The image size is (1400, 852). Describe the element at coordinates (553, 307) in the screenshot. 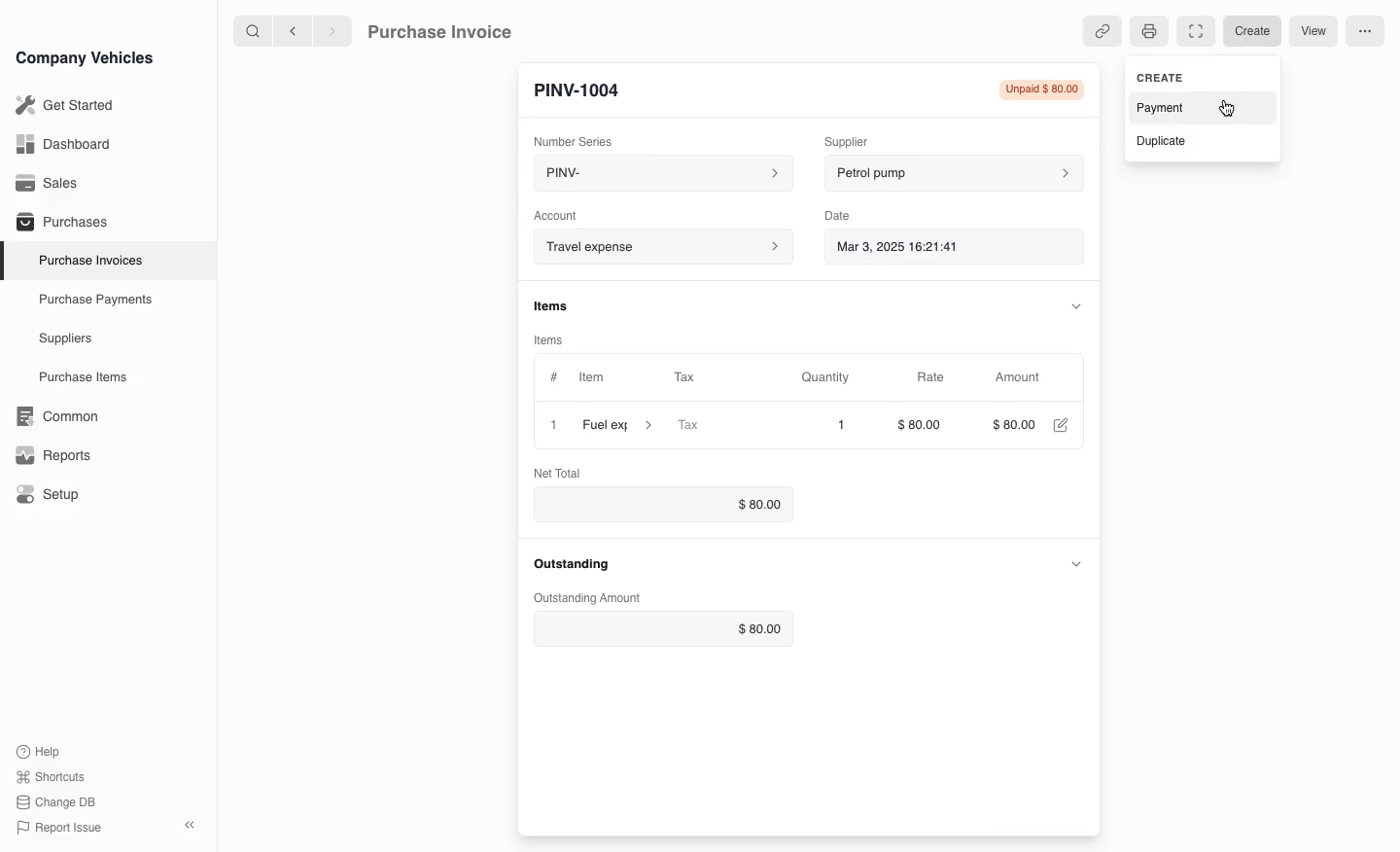

I see `items` at that location.